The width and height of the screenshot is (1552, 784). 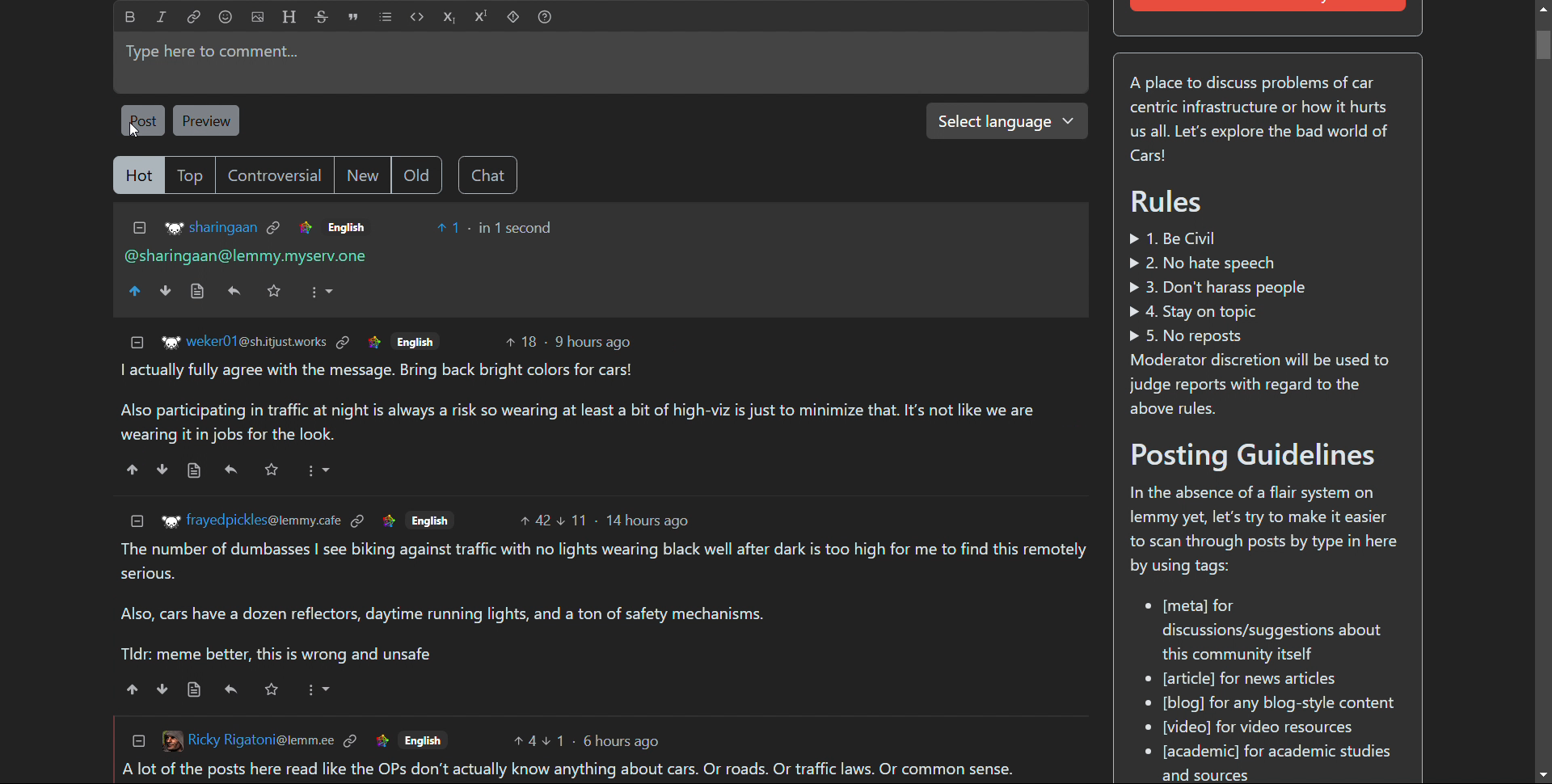 I want to click on upvote, so click(x=132, y=470).